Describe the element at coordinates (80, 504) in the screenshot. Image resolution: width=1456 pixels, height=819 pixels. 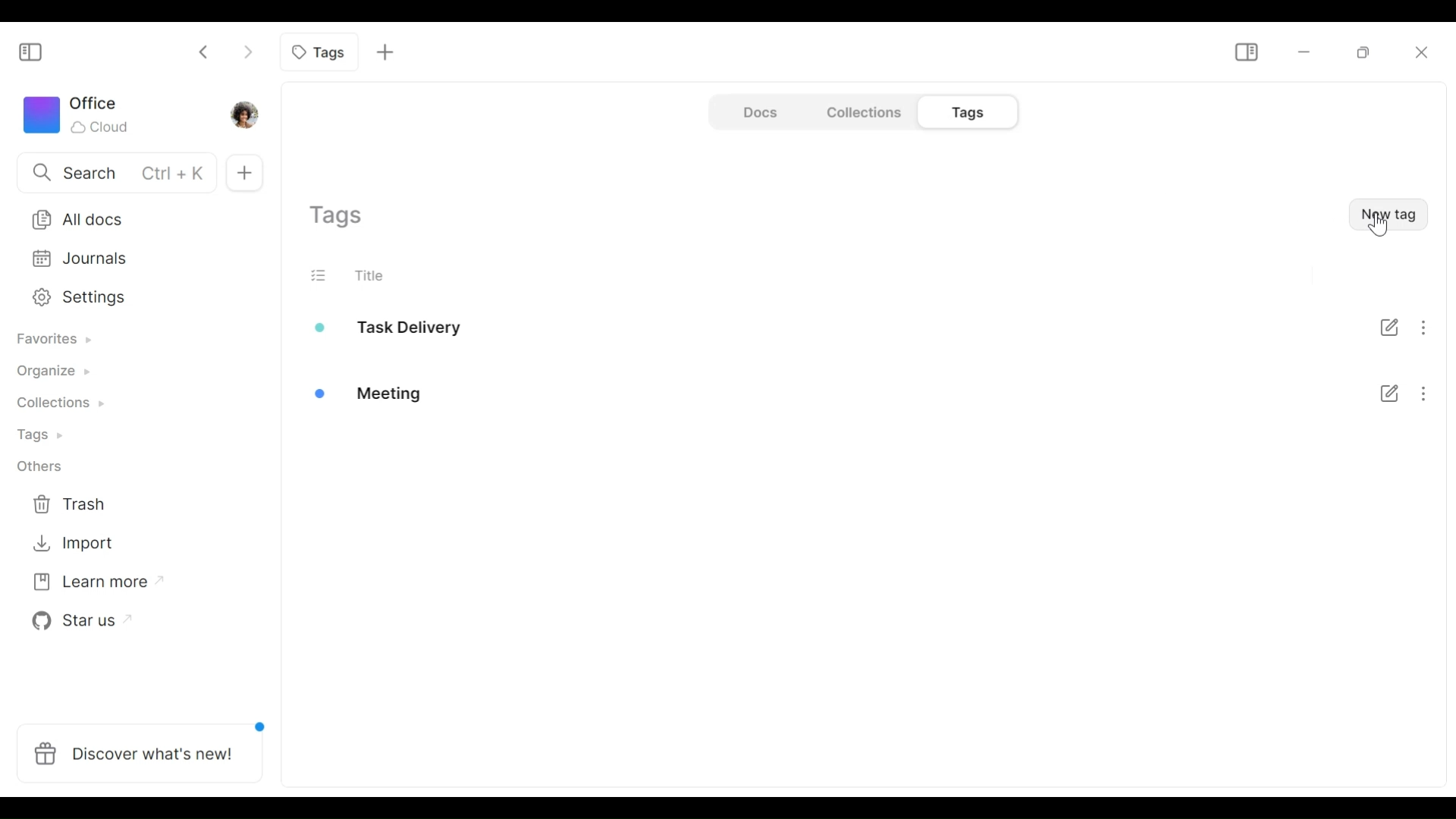
I see `Trash` at that location.